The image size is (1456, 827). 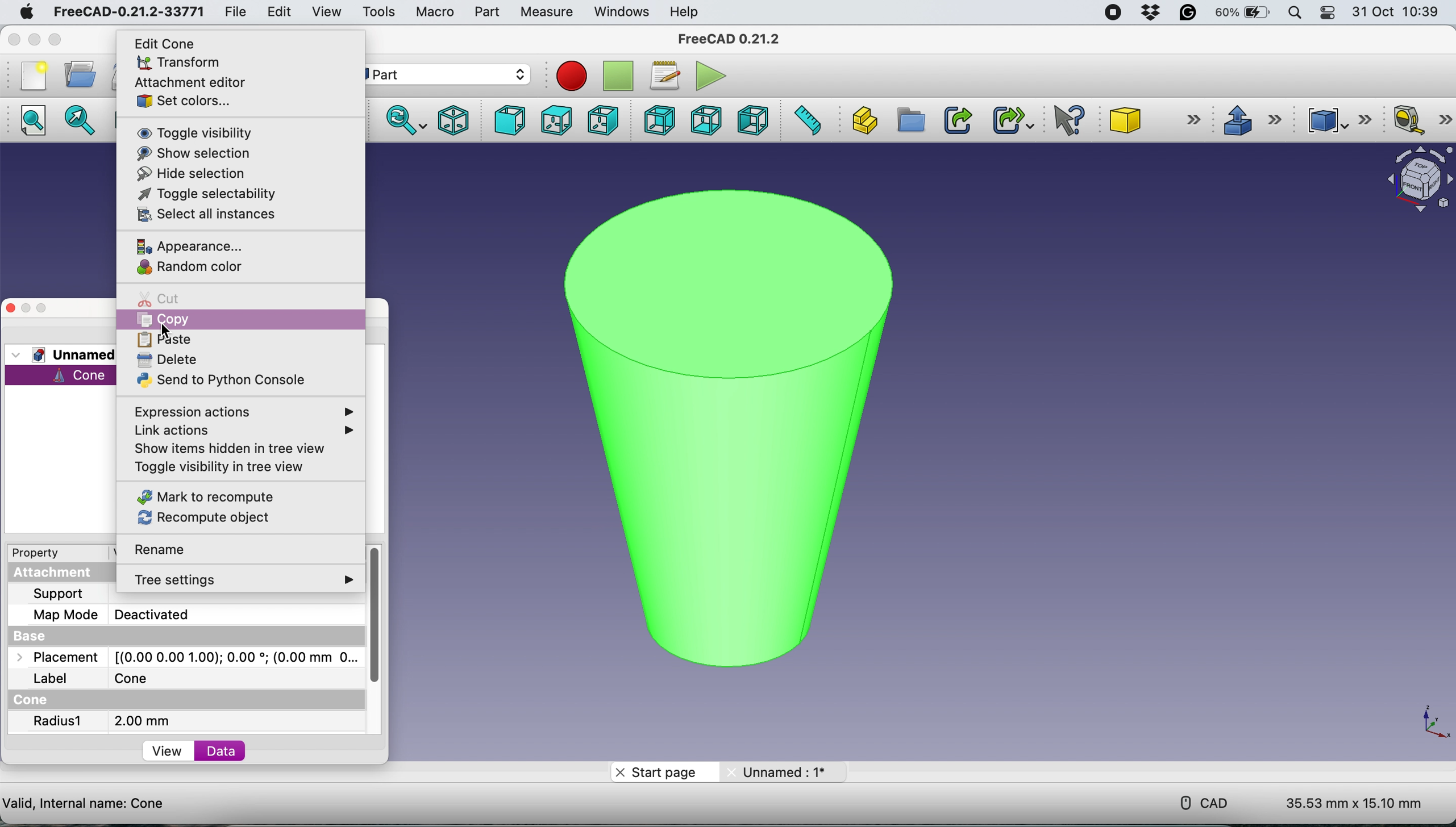 What do you see at coordinates (658, 122) in the screenshot?
I see `rear` at bounding box center [658, 122].